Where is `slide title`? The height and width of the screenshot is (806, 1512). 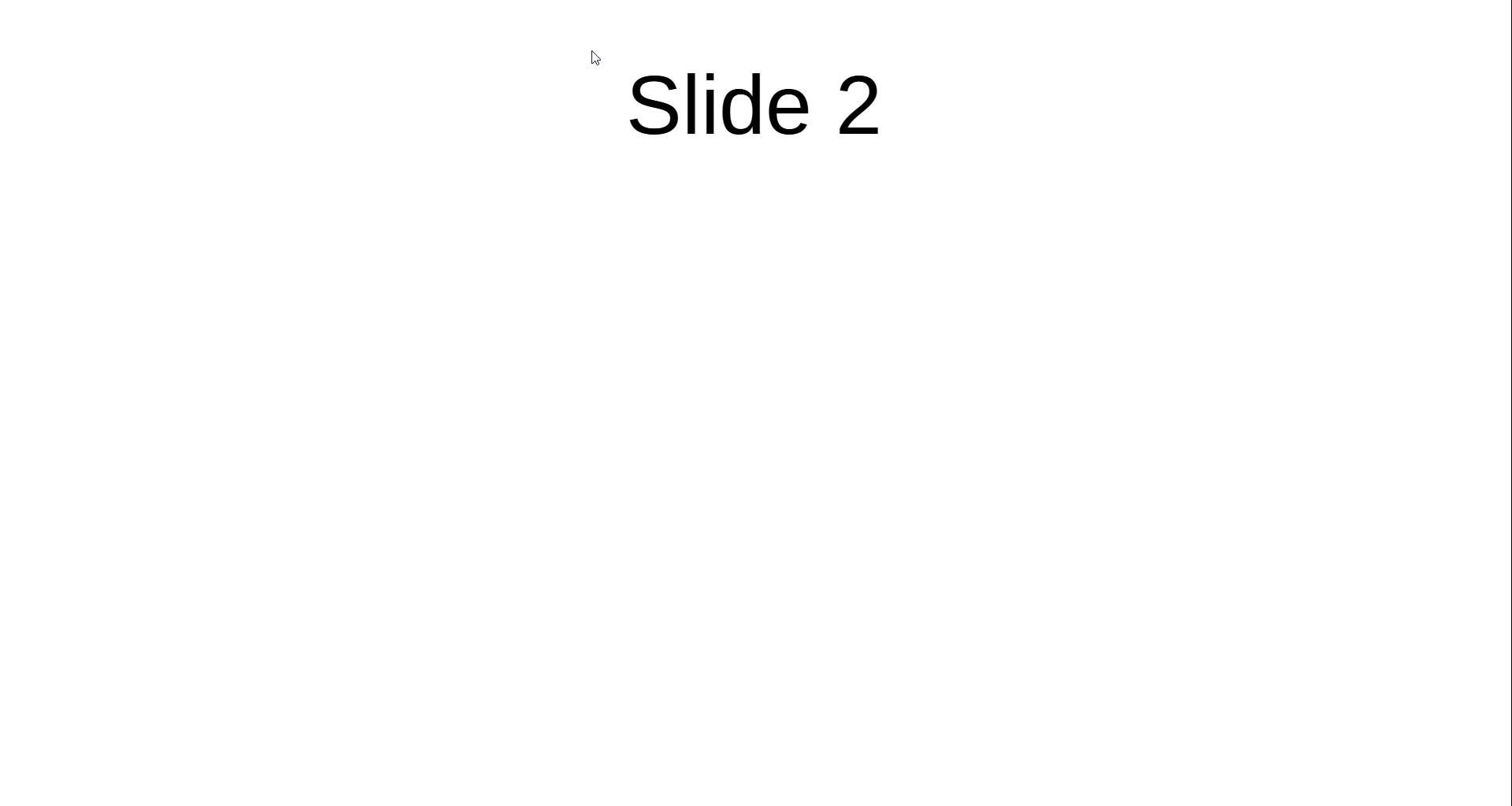
slide title is located at coordinates (754, 105).